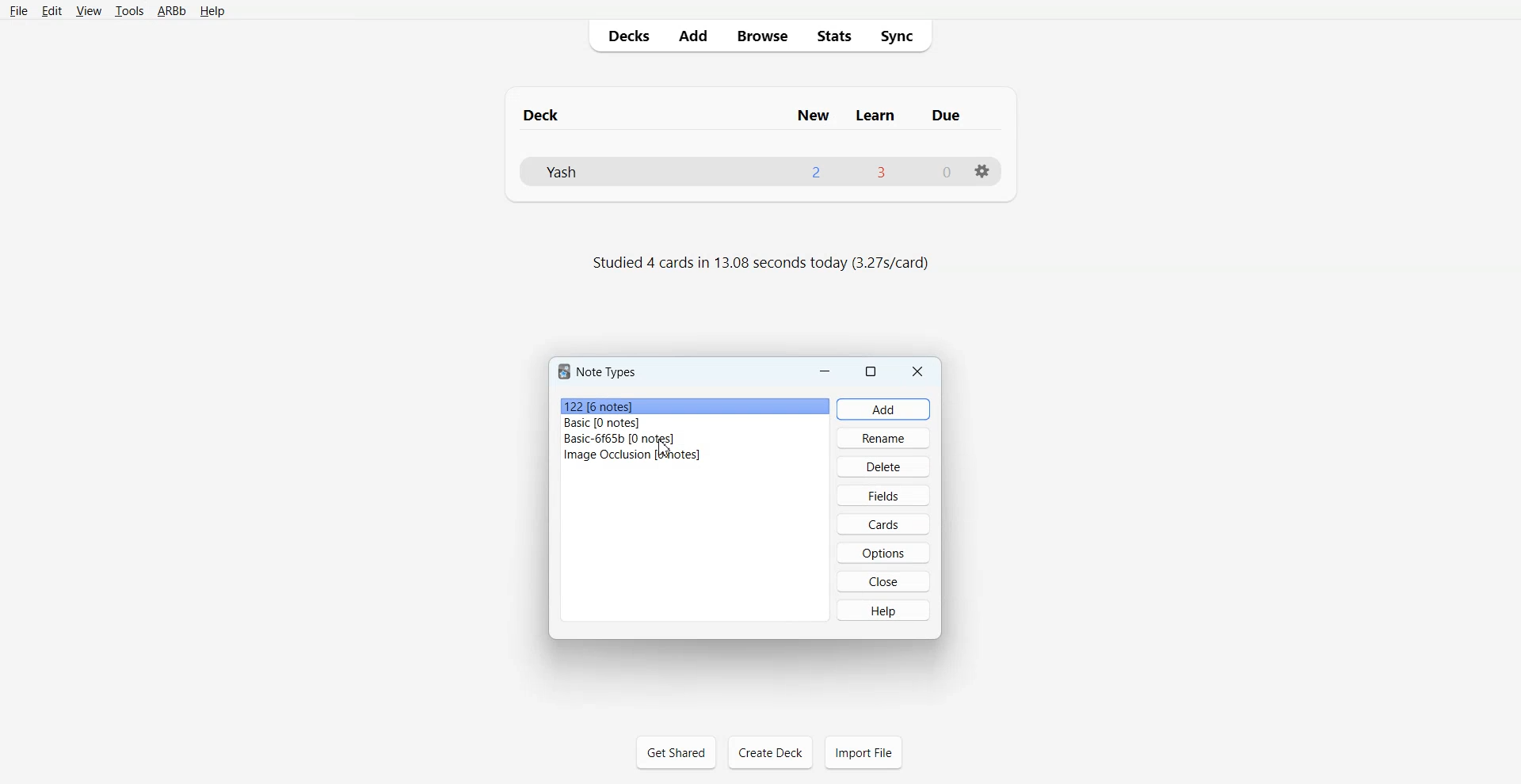  Describe the element at coordinates (600, 371) in the screenshot. I see `Text` at that location.